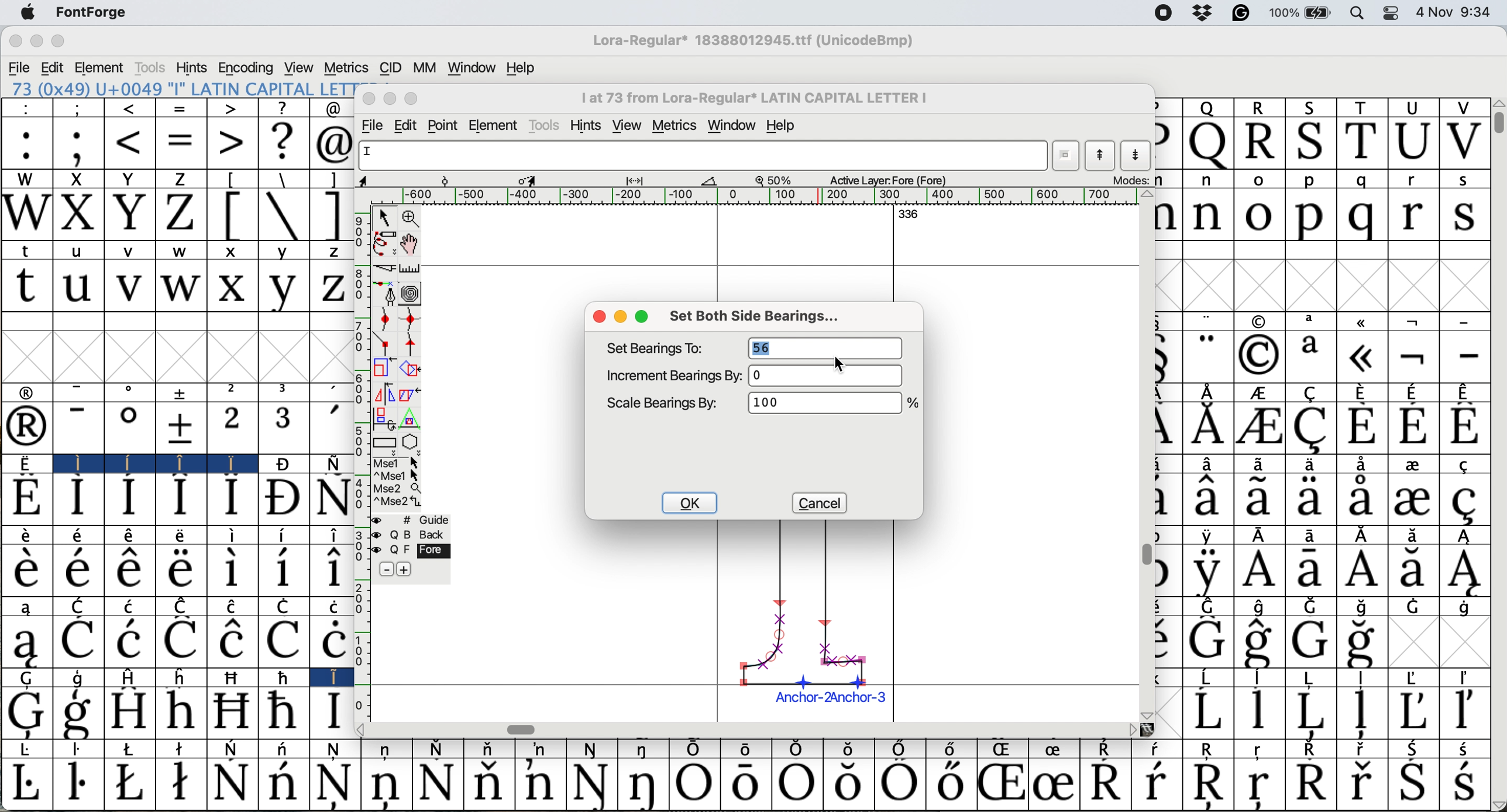 The height and width of the screenshot is (812, 1507). I want to click on =, so click(181, 145).